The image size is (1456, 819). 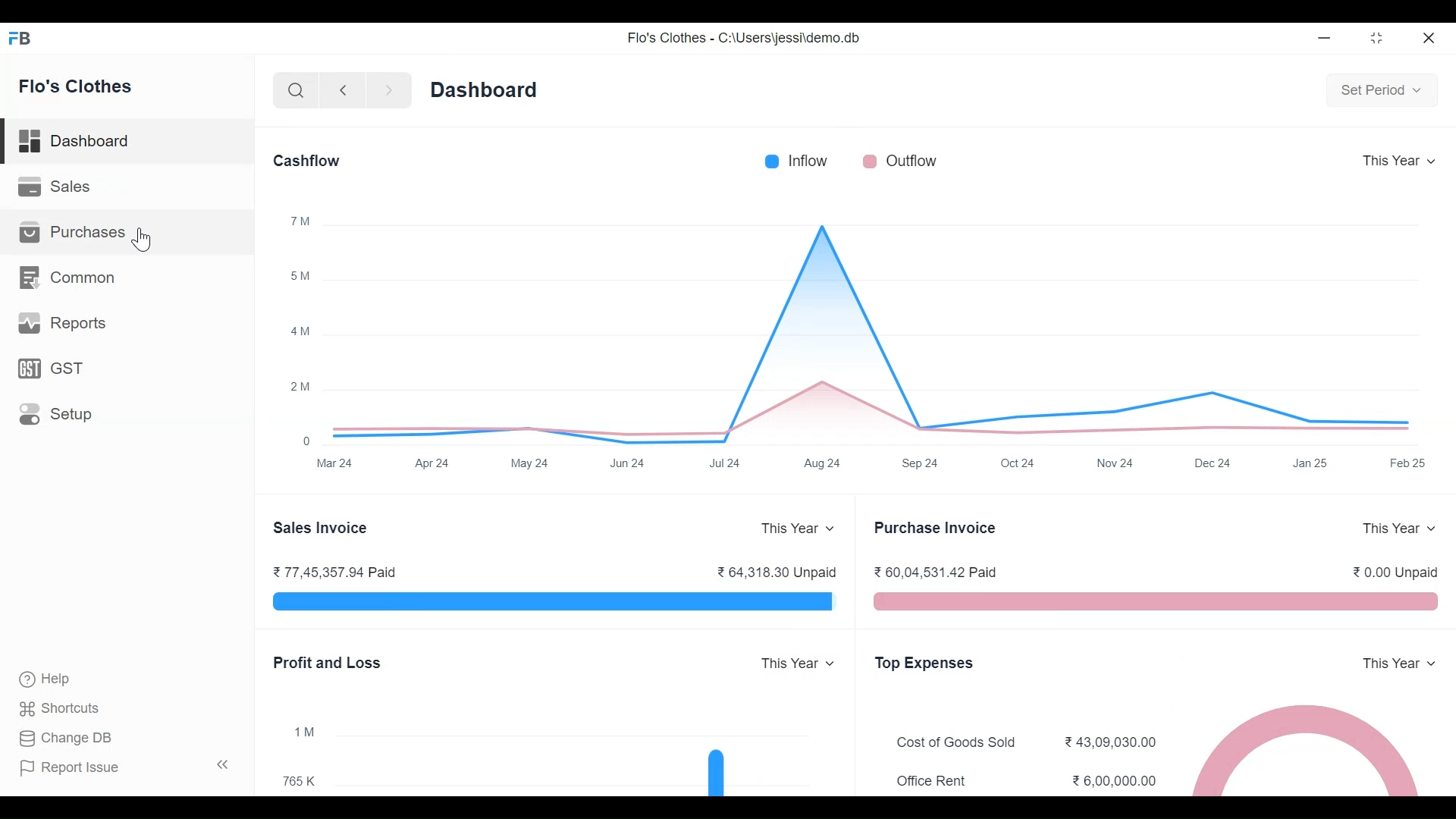 What do you see at coordinates (1429, 38) in the screenshot?
I see `Close` at bounding box center [1429, 38].